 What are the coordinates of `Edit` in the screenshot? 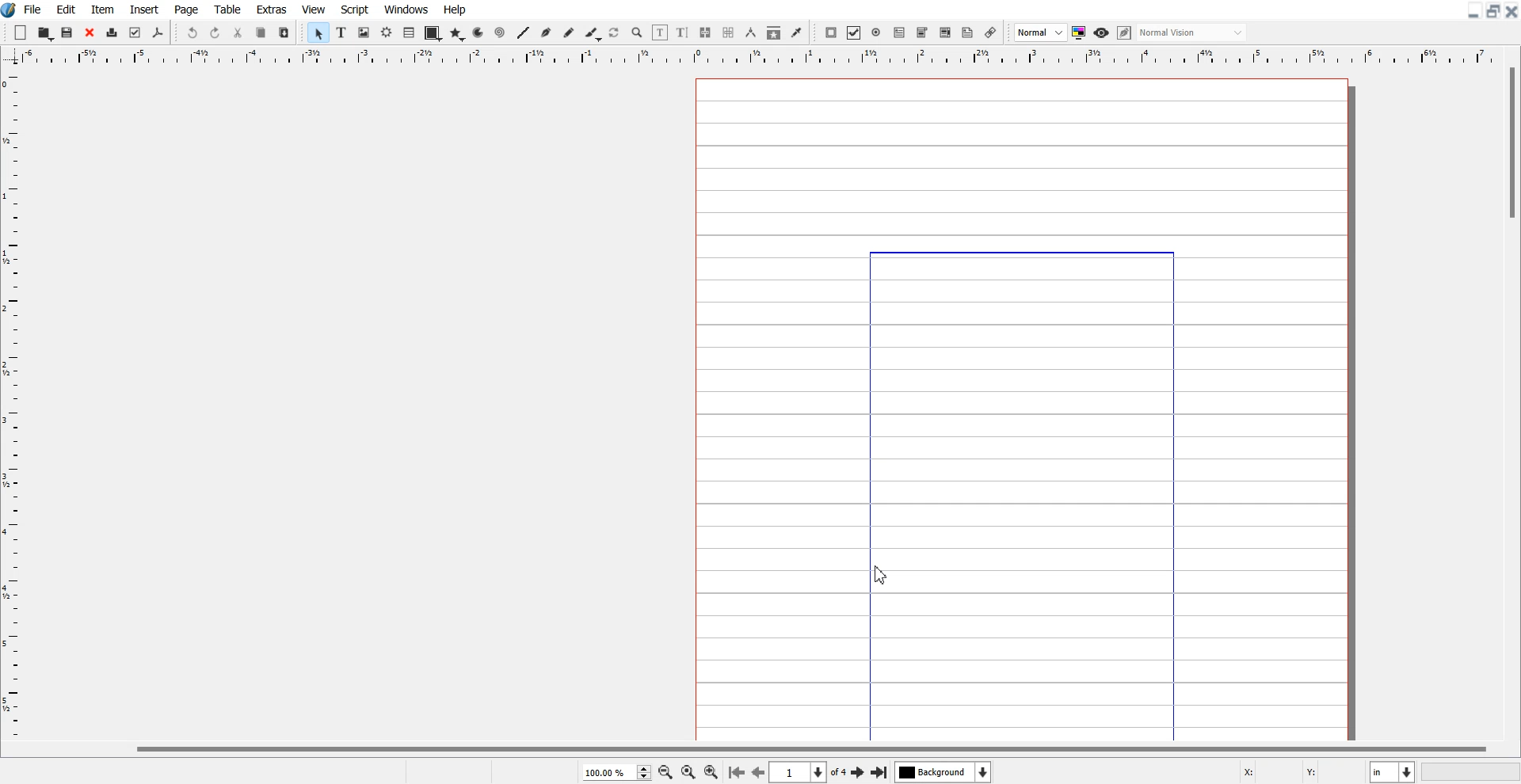 It's located at (65, 10).